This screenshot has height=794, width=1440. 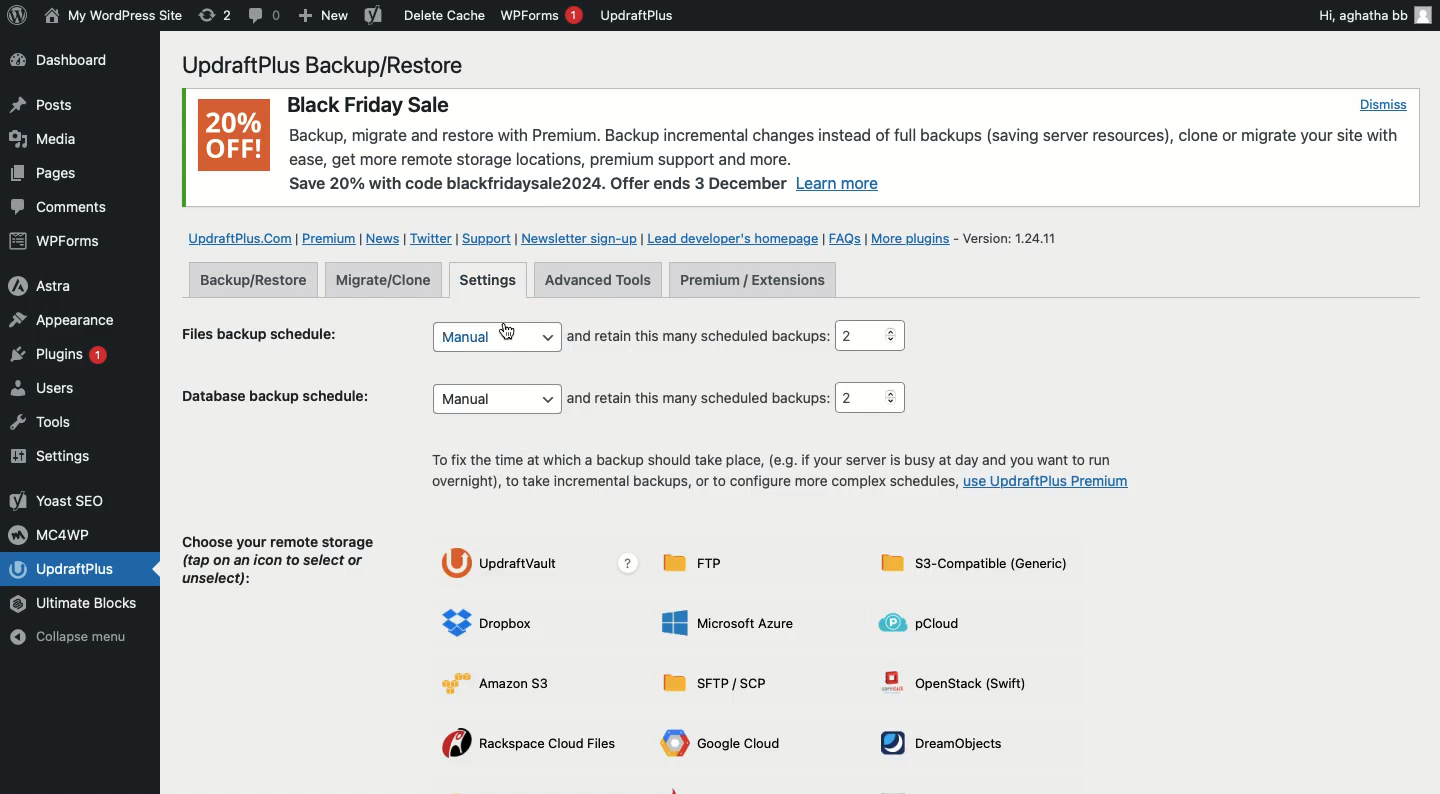 I want to click on To fix the time at which a backup should take place, (e.g. if your server is busy at day and you want to run
overnight), to take incremental backups, or to configure more complex schedules, use UpdraftPlus Premium, so click(x=776, y=473).